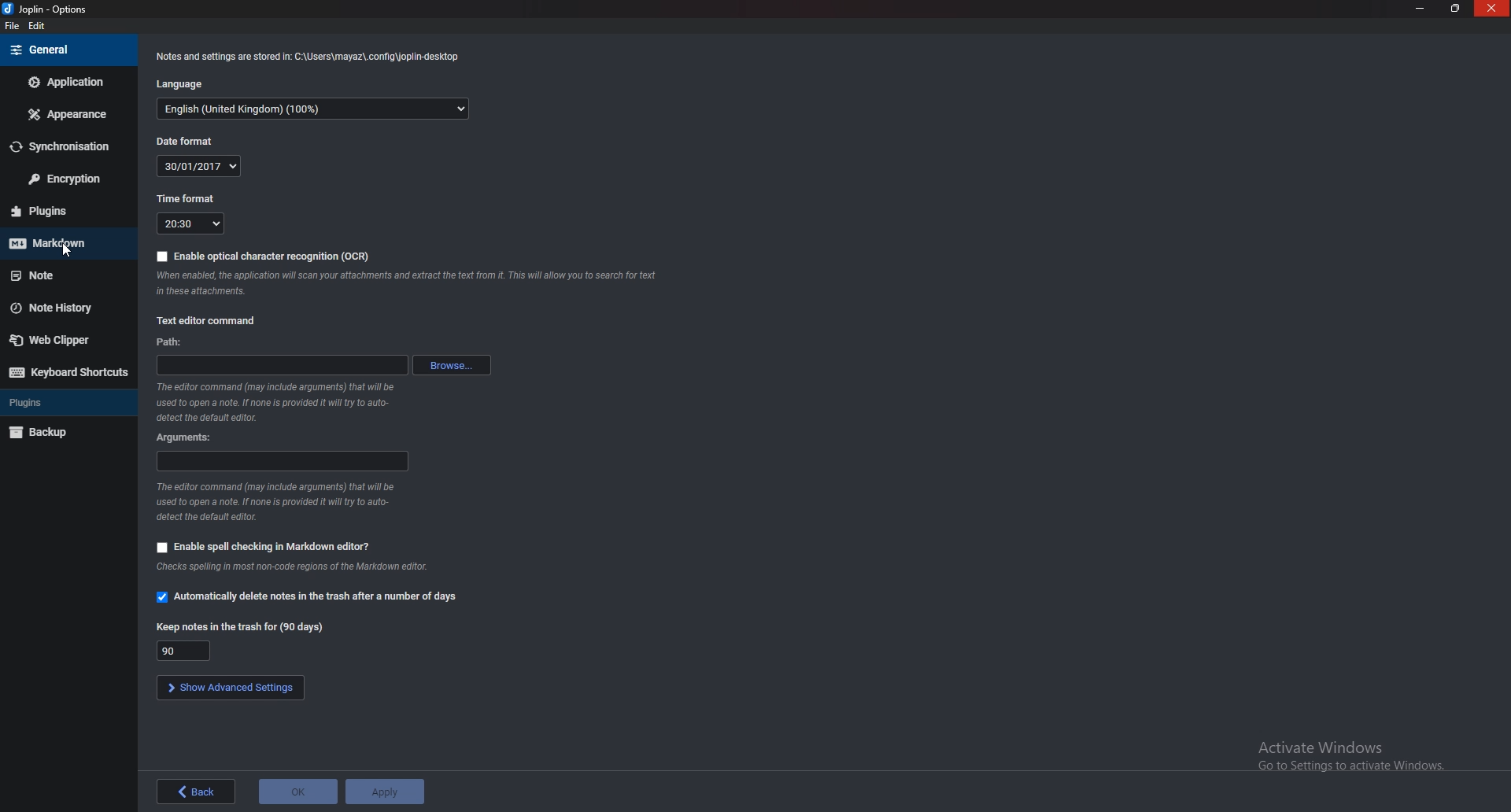 The height and width of the screenshot is (812, 1511). What do you see at coordinates (456, 365) in the screenshot?
I see `browse` at bounding box center [456, 365].